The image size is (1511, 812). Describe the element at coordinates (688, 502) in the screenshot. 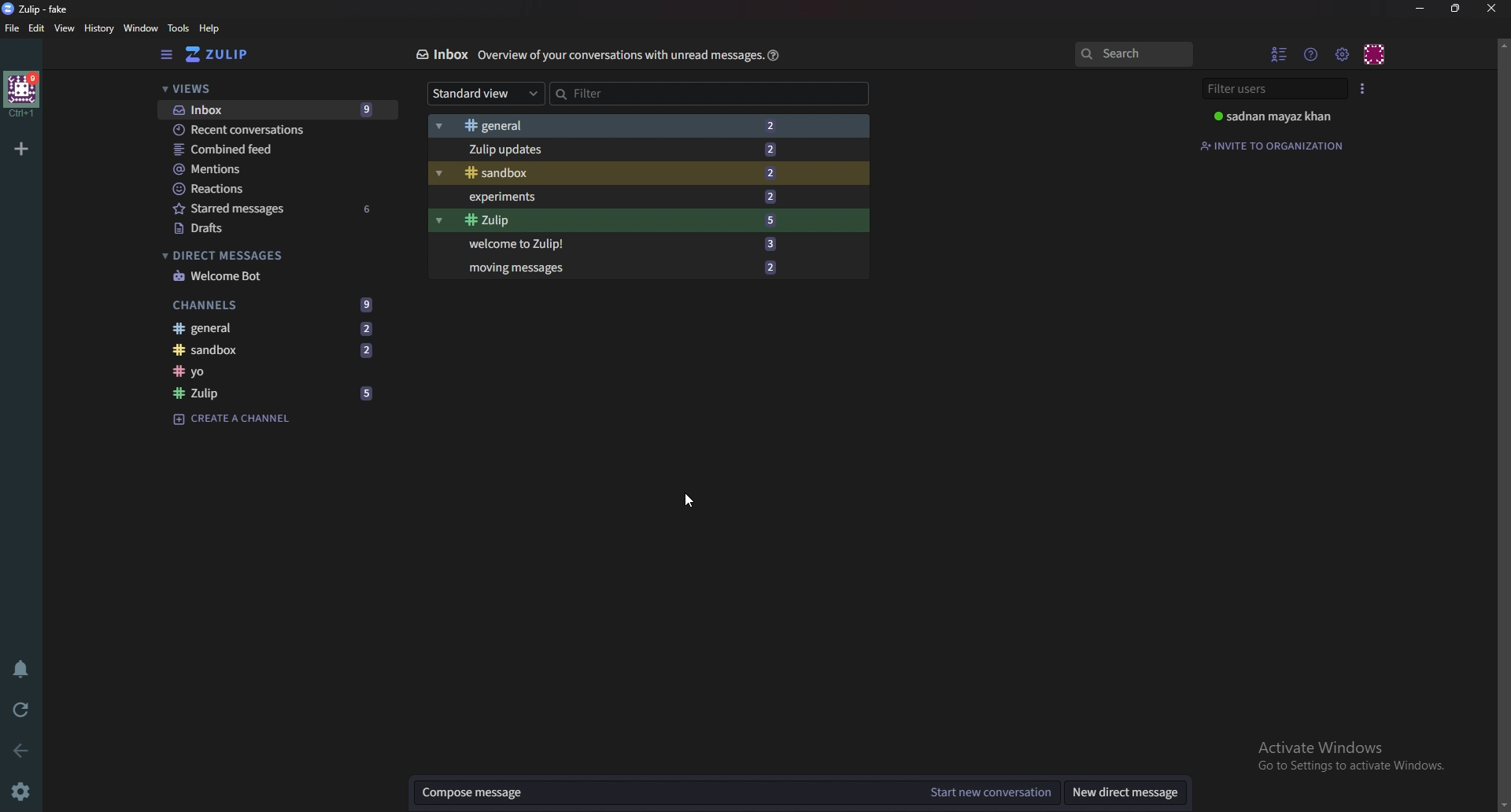

I see `cursor` at that location.